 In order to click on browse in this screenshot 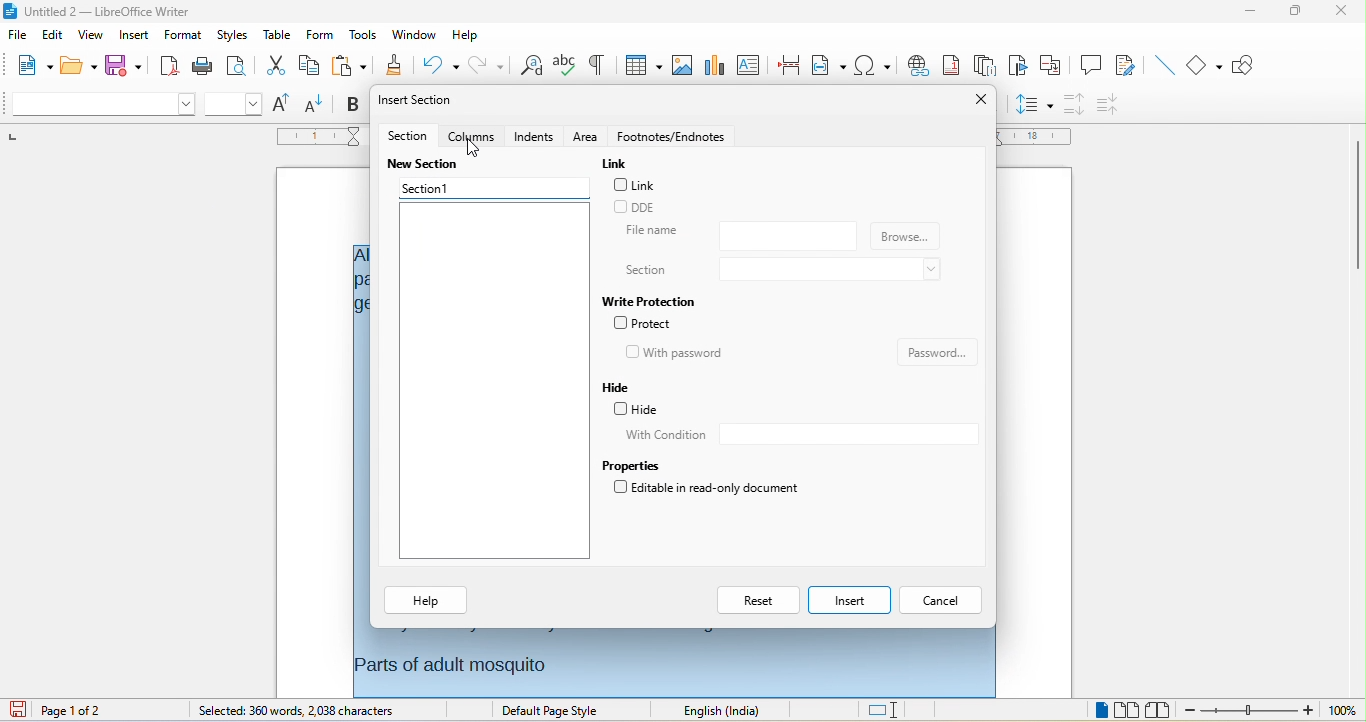, I will do `click(913, 235)`.